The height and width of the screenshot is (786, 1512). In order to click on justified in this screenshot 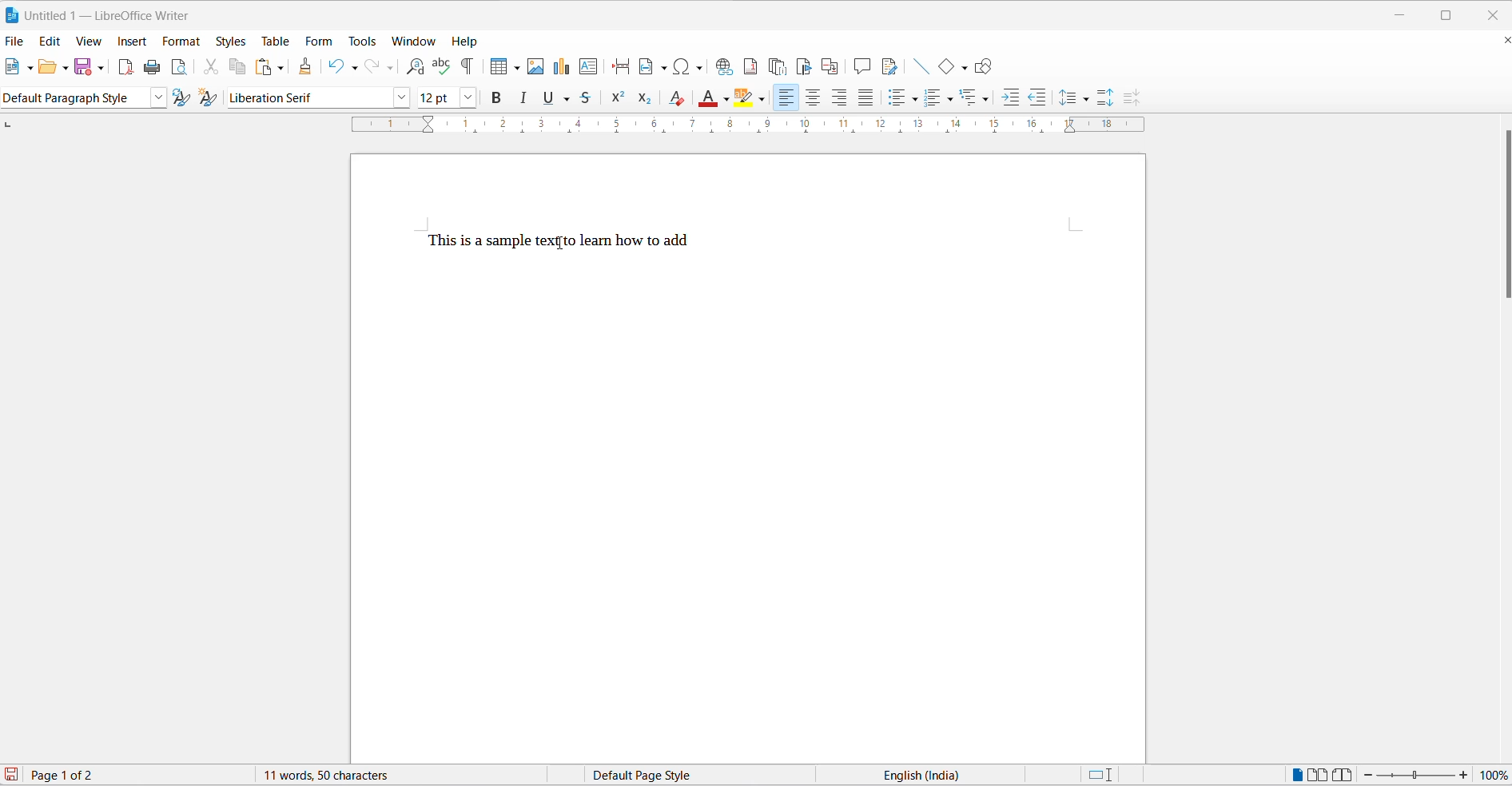, I will do `click(864, 97)`.